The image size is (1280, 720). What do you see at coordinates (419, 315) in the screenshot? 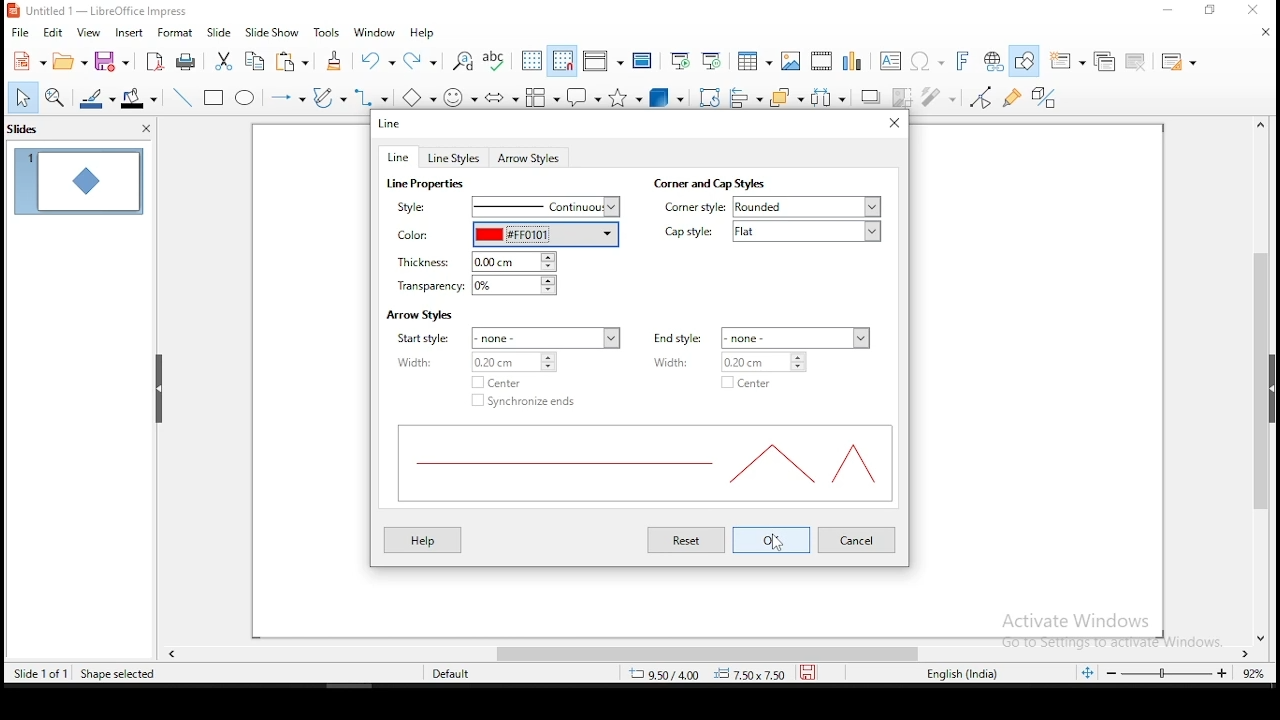
I see `arrow styles` at bounding box center [419, 315].